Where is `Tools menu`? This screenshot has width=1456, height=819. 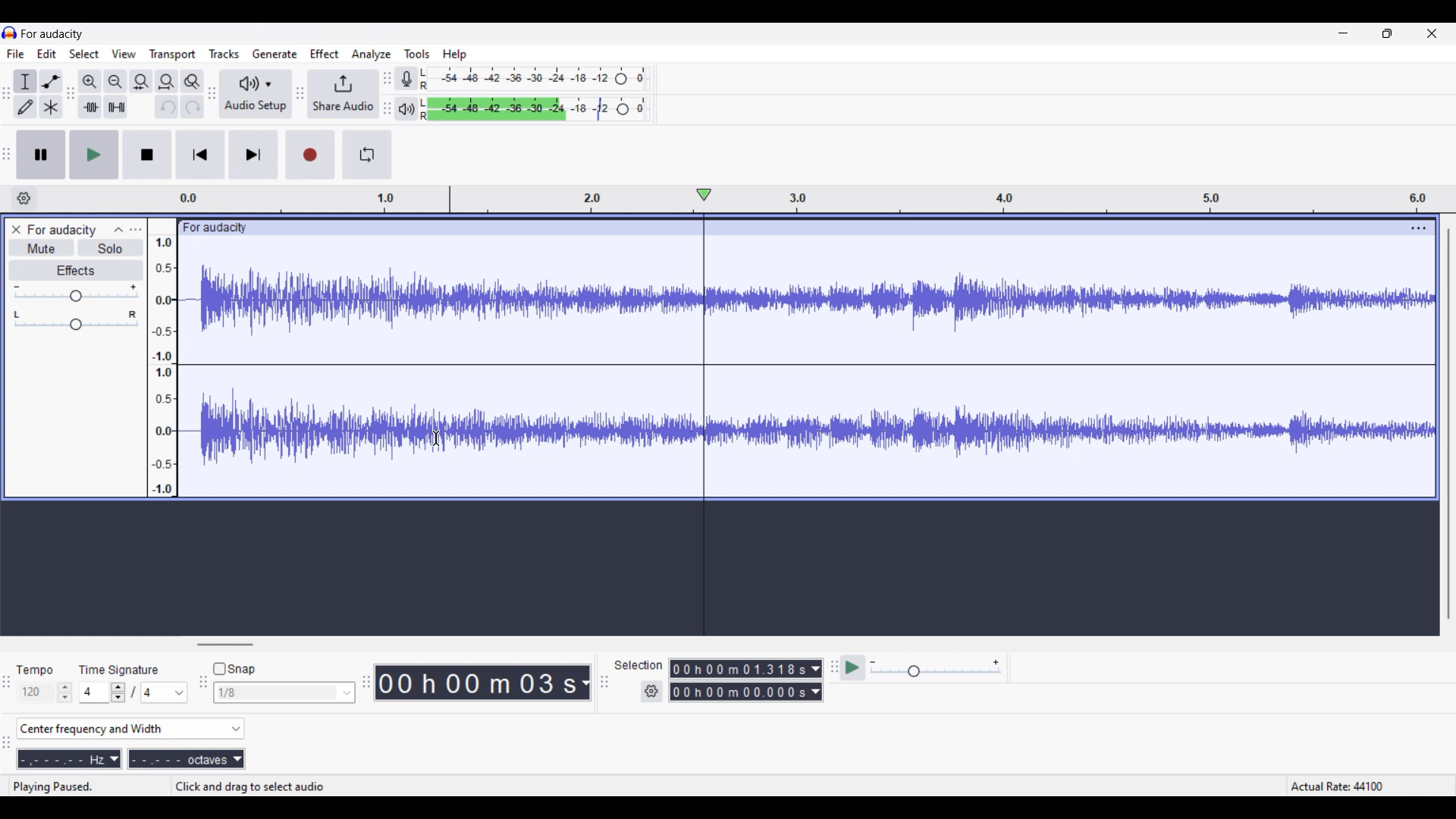
Tools menu is located at coordinates (416, 54).